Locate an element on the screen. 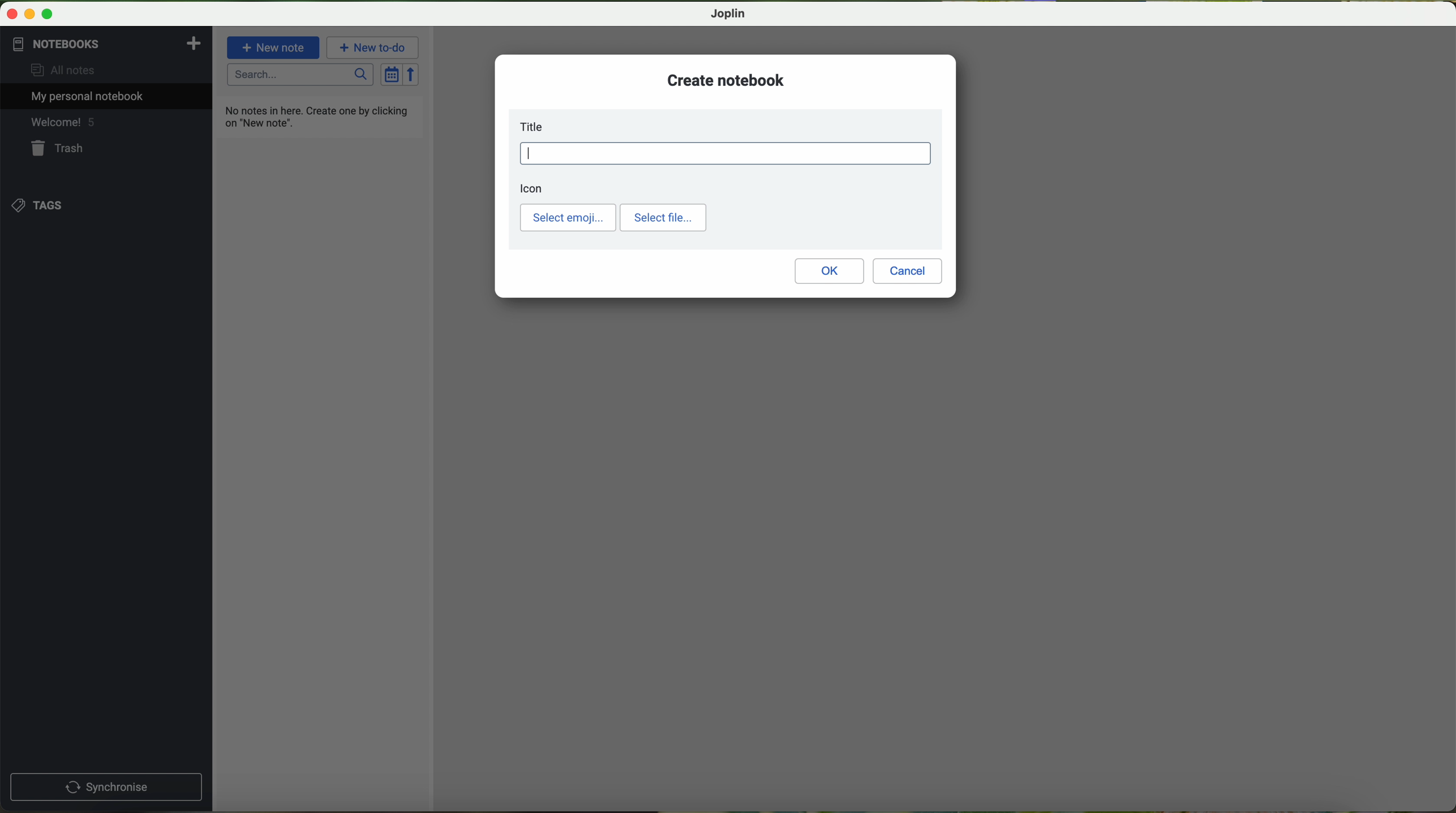 The image size is (1456, 813). no notes in here. create one by clicking new note is located at coordinates (319, 116).